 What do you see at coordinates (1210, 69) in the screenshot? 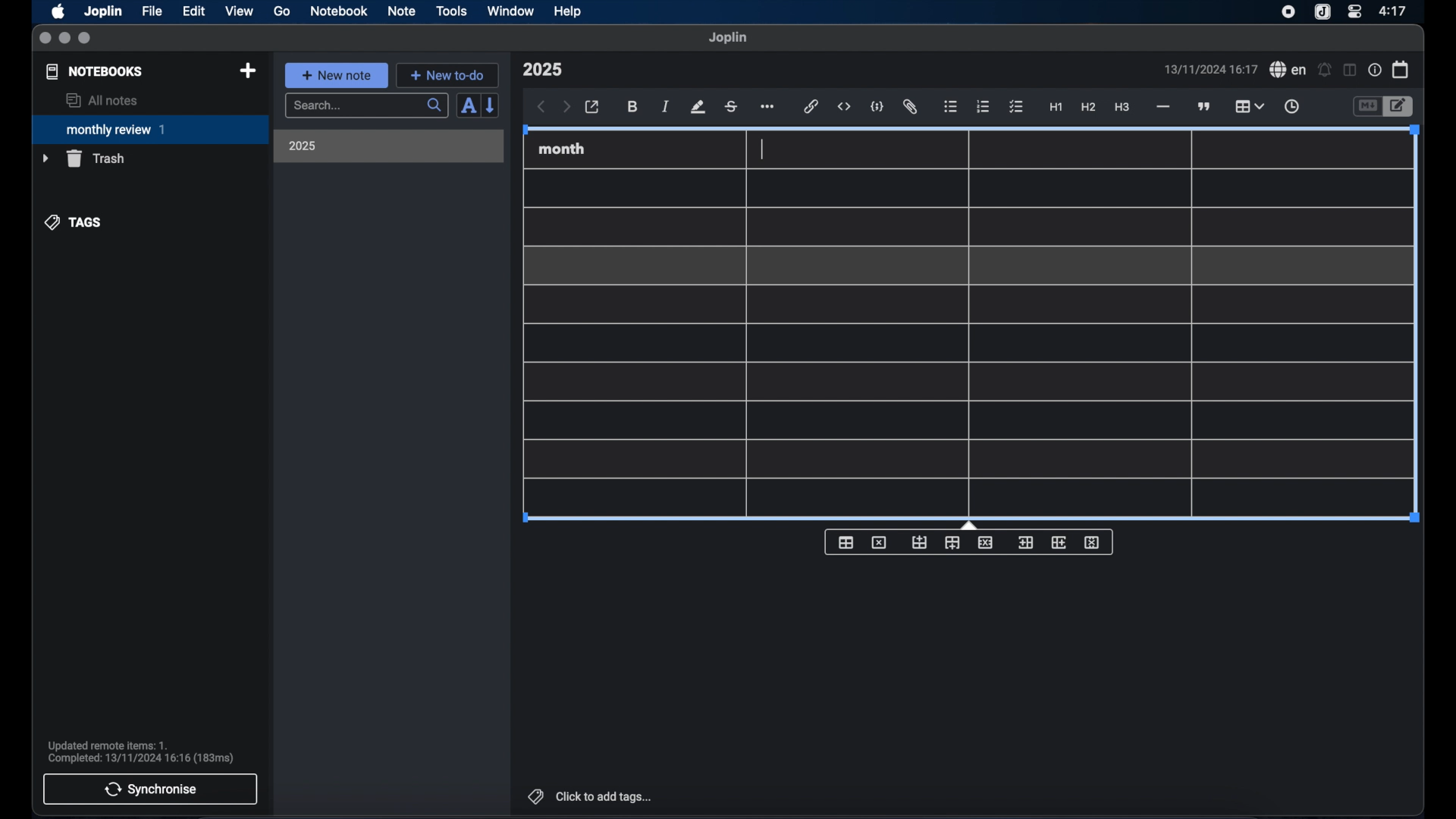
I see `date` at bounding box center [1210, 69].